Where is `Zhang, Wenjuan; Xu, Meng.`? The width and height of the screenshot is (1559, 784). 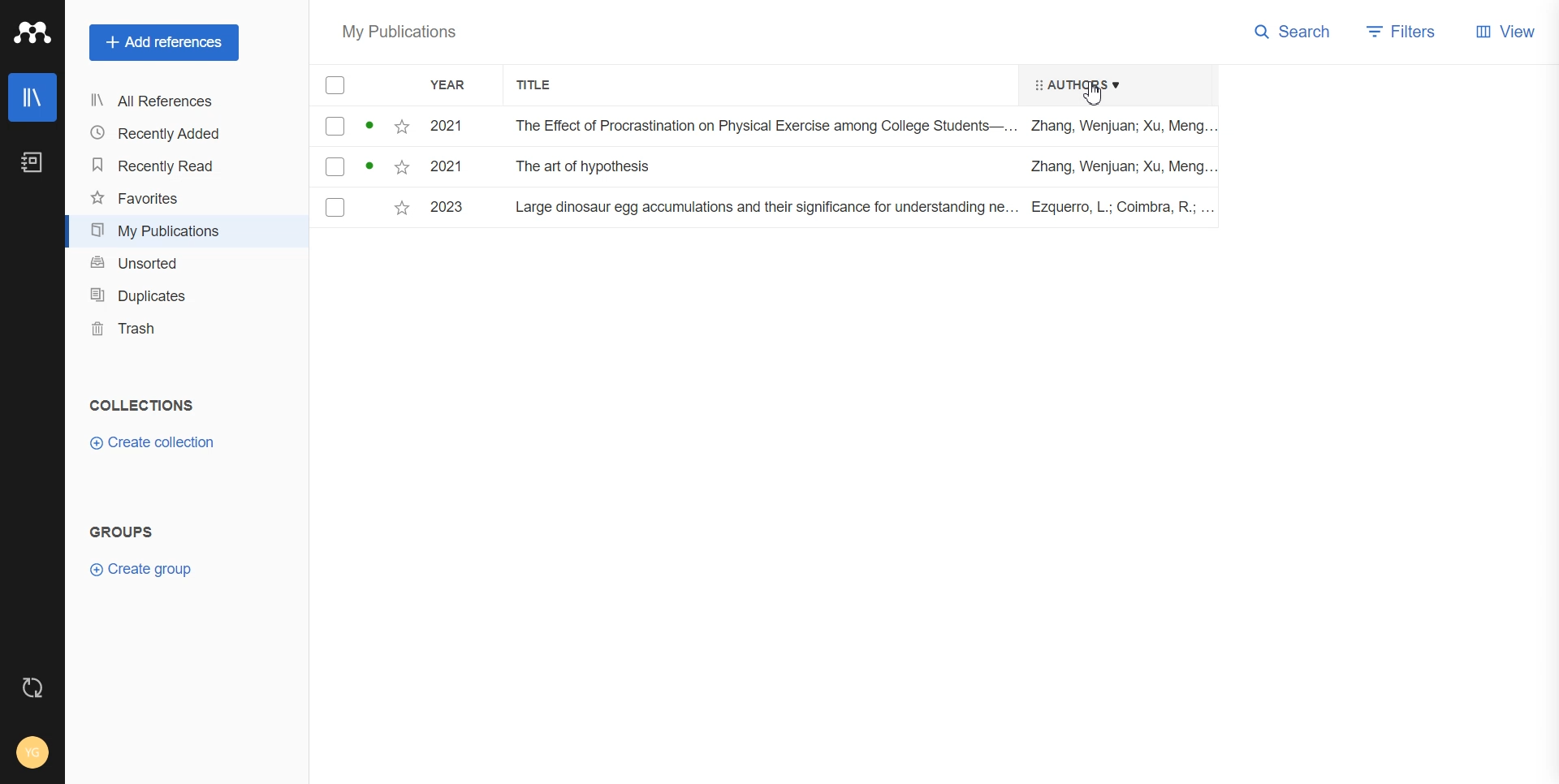 Zhang, Wenjuan; Xu, Meng. is located at coordinates (1119, 167).